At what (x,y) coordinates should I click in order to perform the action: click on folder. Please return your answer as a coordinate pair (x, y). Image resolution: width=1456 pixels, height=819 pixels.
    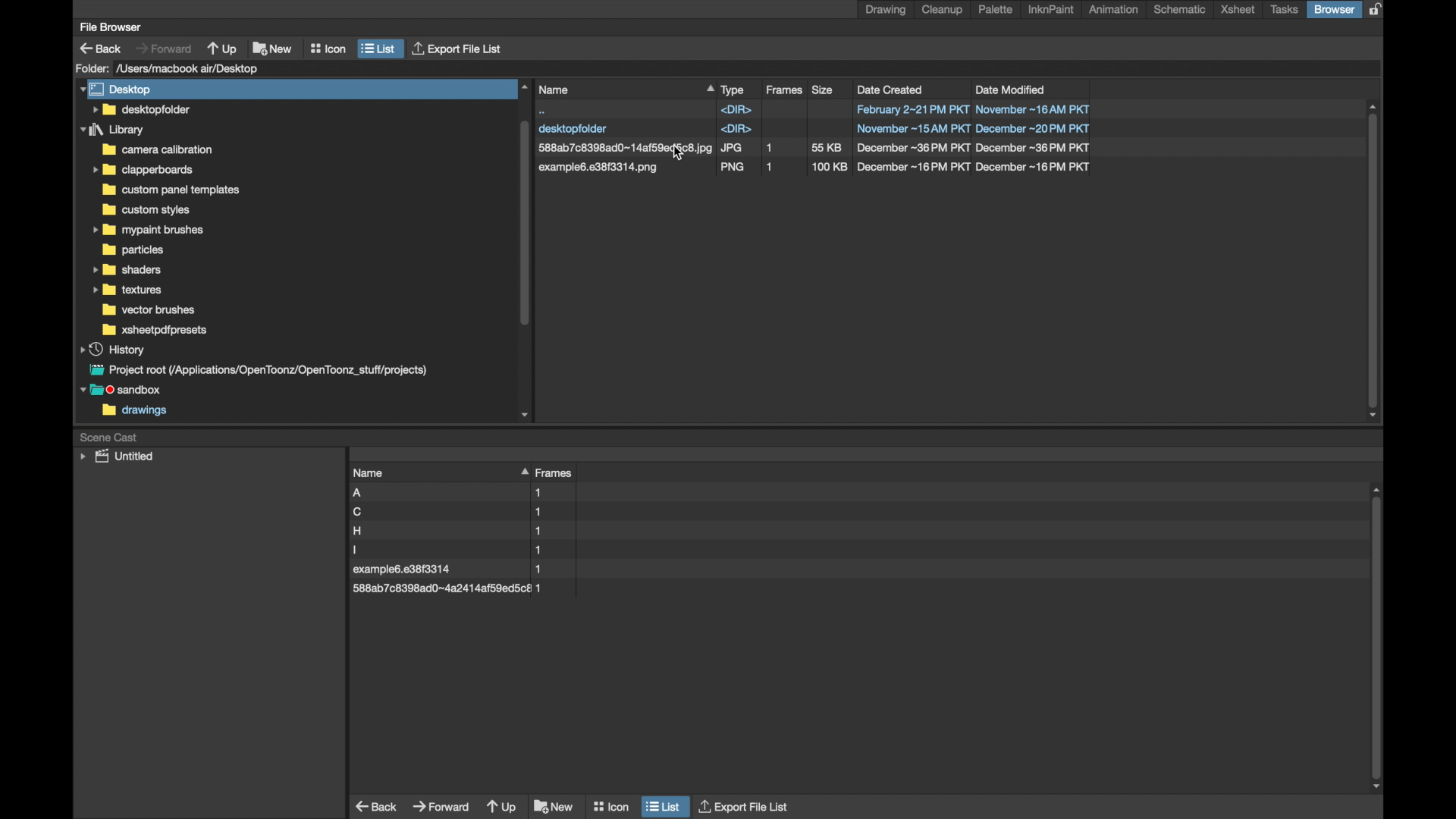
    Looking at the image, I should click on (127, 269).